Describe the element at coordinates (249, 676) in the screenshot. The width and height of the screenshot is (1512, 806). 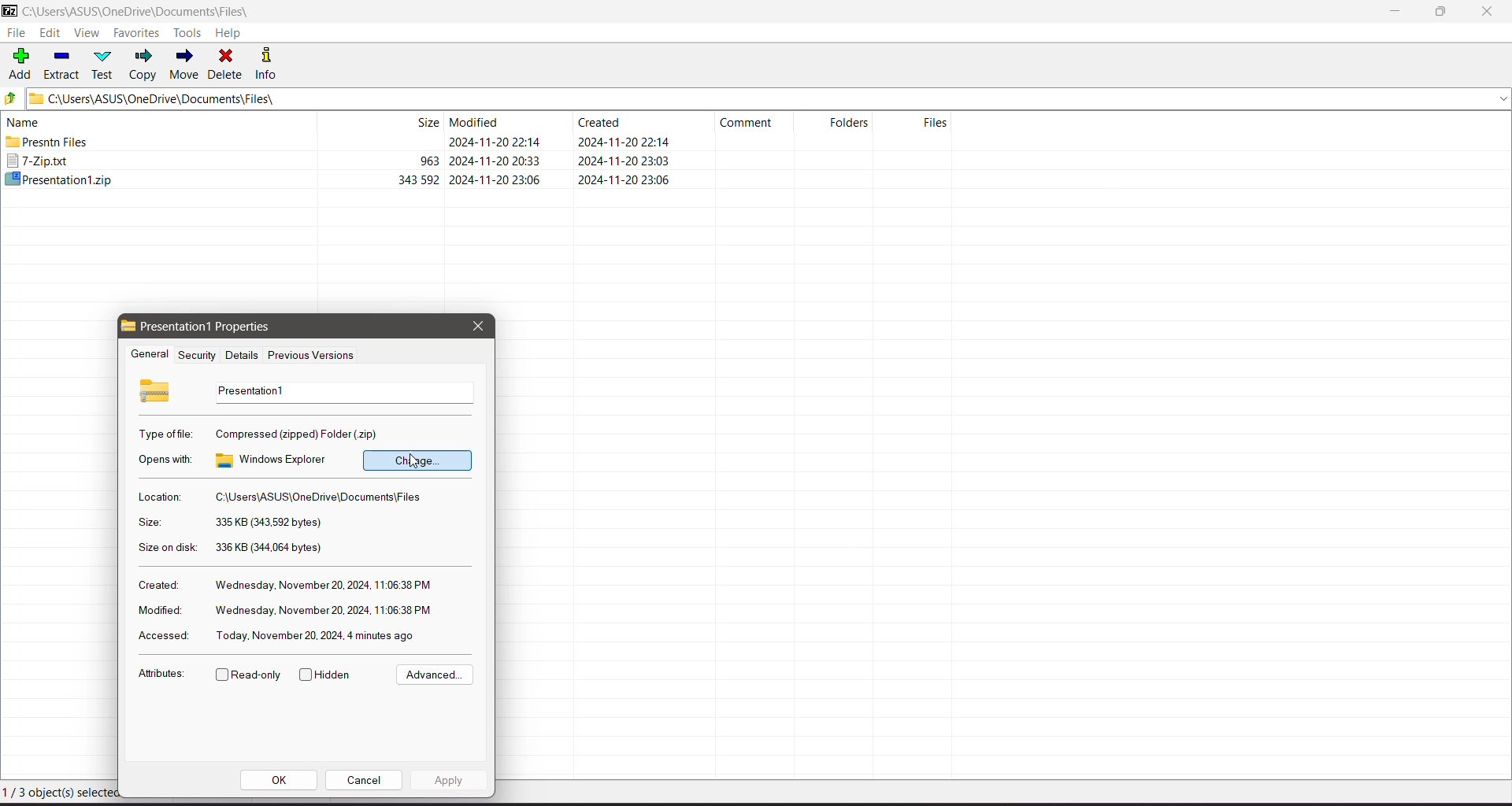
I see `Read-only - Click to enable/disable` at that location.